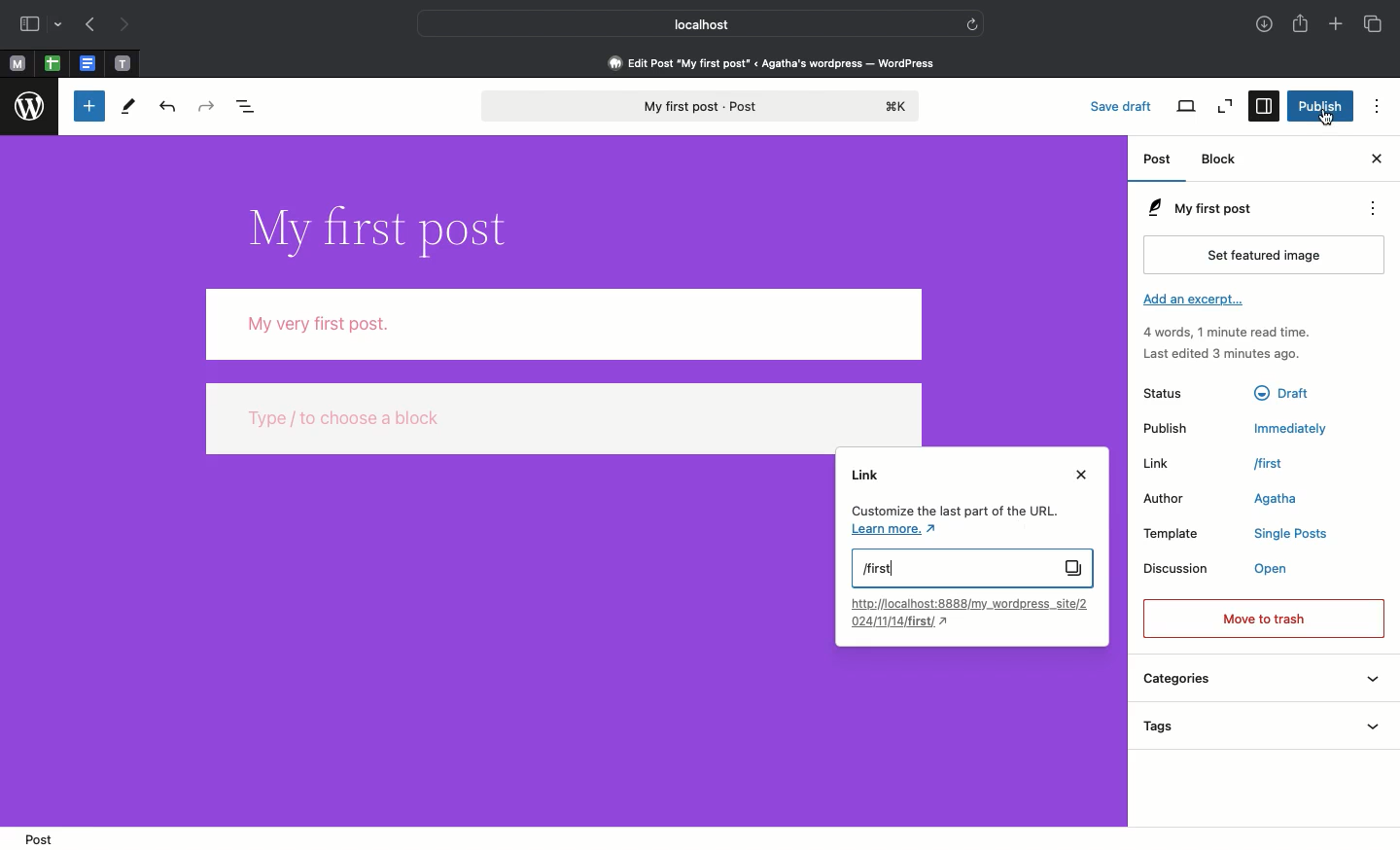 Image resolution: width=1400 pixels, height=850 pixels. Describe the element at coordinates (1079, 476) in the screenshot. I see `Close` at that location.